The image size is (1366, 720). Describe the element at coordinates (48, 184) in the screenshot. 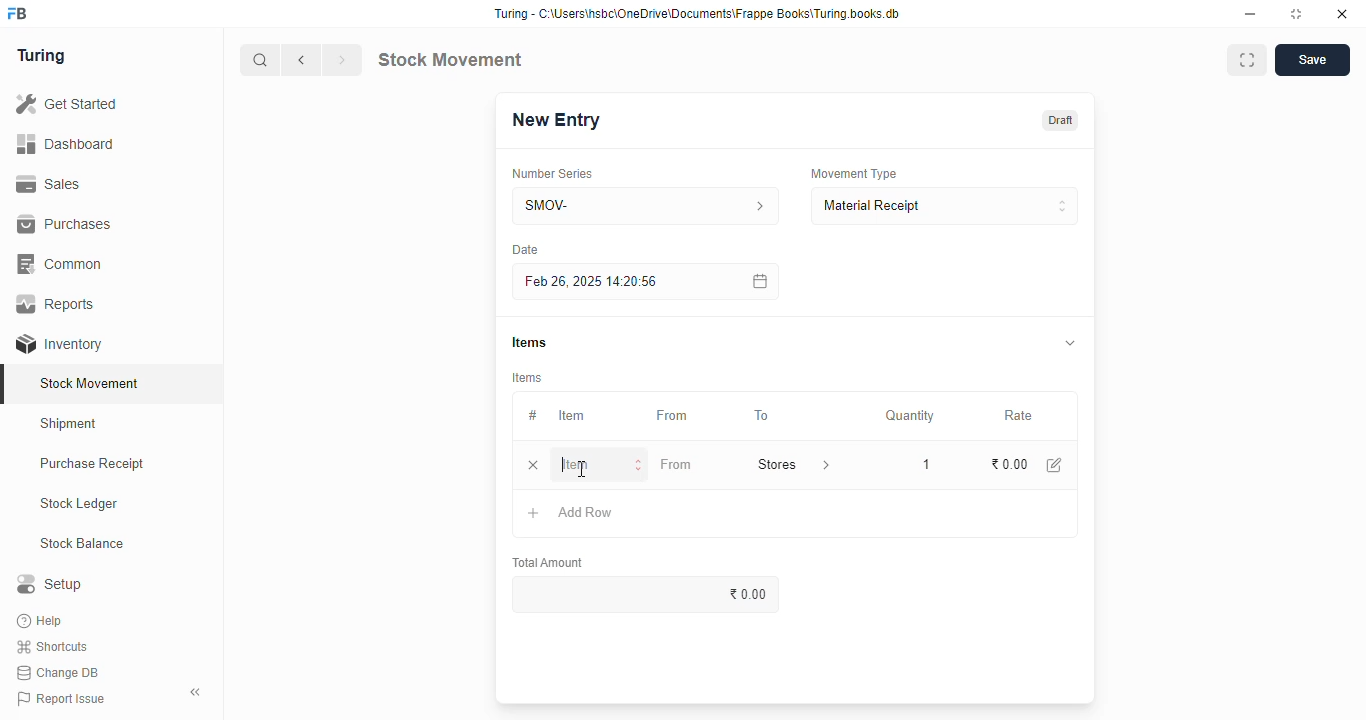

I see `sales` at that location.